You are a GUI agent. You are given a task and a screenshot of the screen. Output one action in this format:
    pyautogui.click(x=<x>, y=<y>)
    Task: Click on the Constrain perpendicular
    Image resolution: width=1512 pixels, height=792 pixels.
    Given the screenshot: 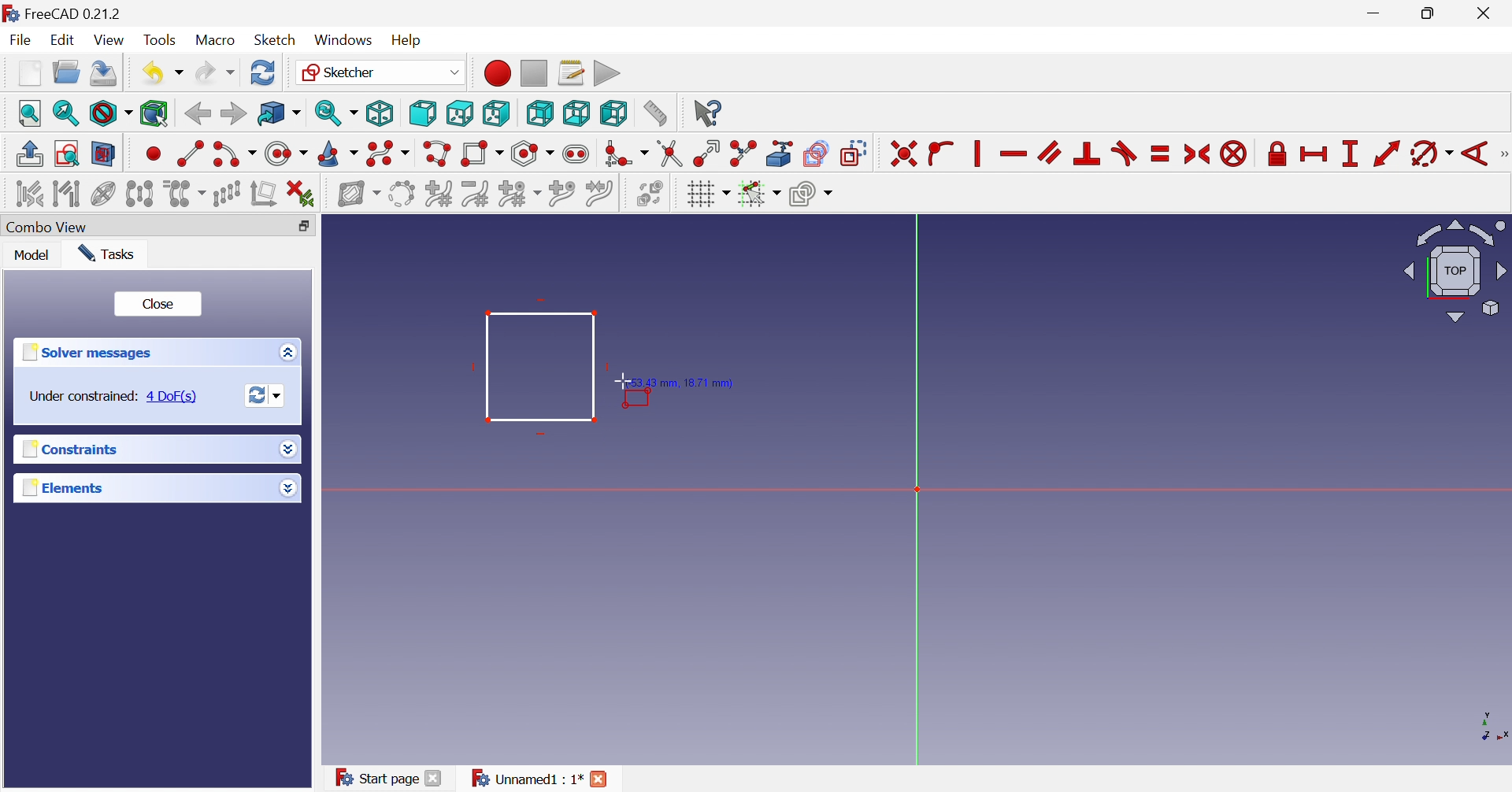 What is the action you would take?
    pyautogui.click(x=1088, y=153)
    